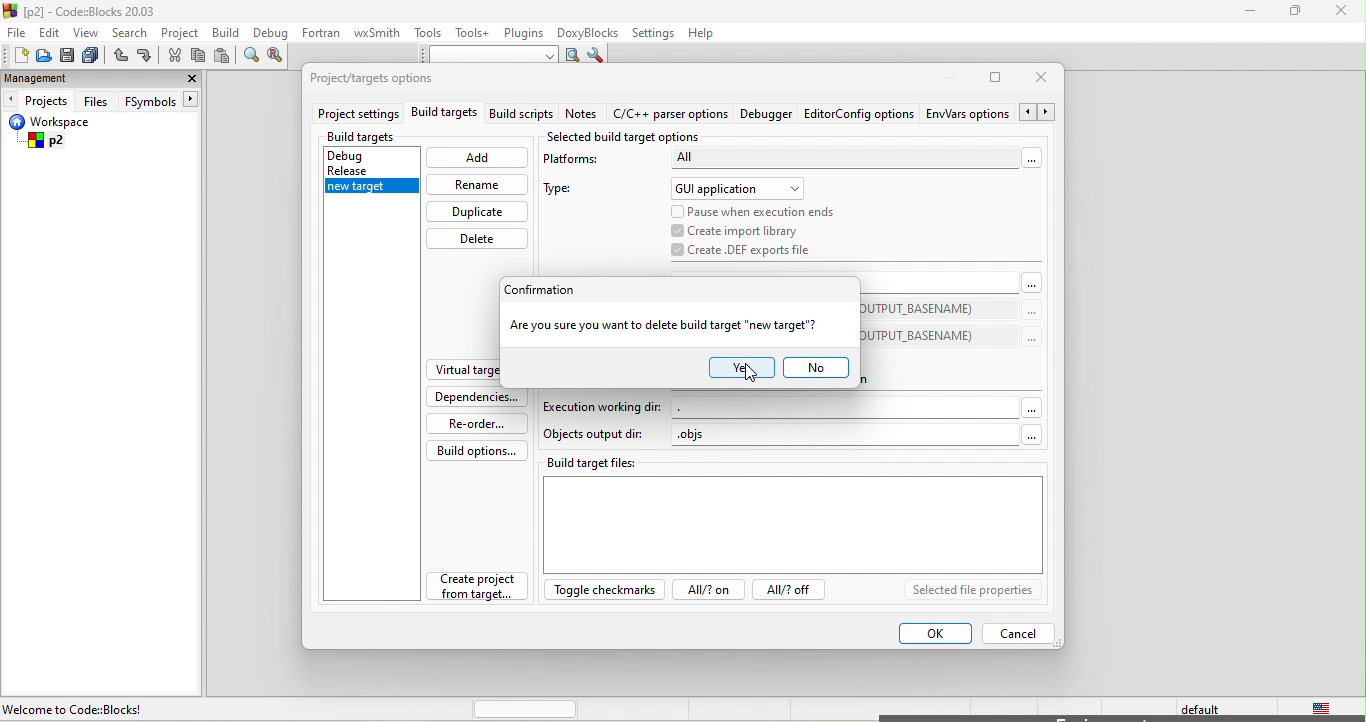 This screenshot has height=722, width=1366. Describe the element at coordinates (989, 115) in the screenshot. I see `env option` at that location.